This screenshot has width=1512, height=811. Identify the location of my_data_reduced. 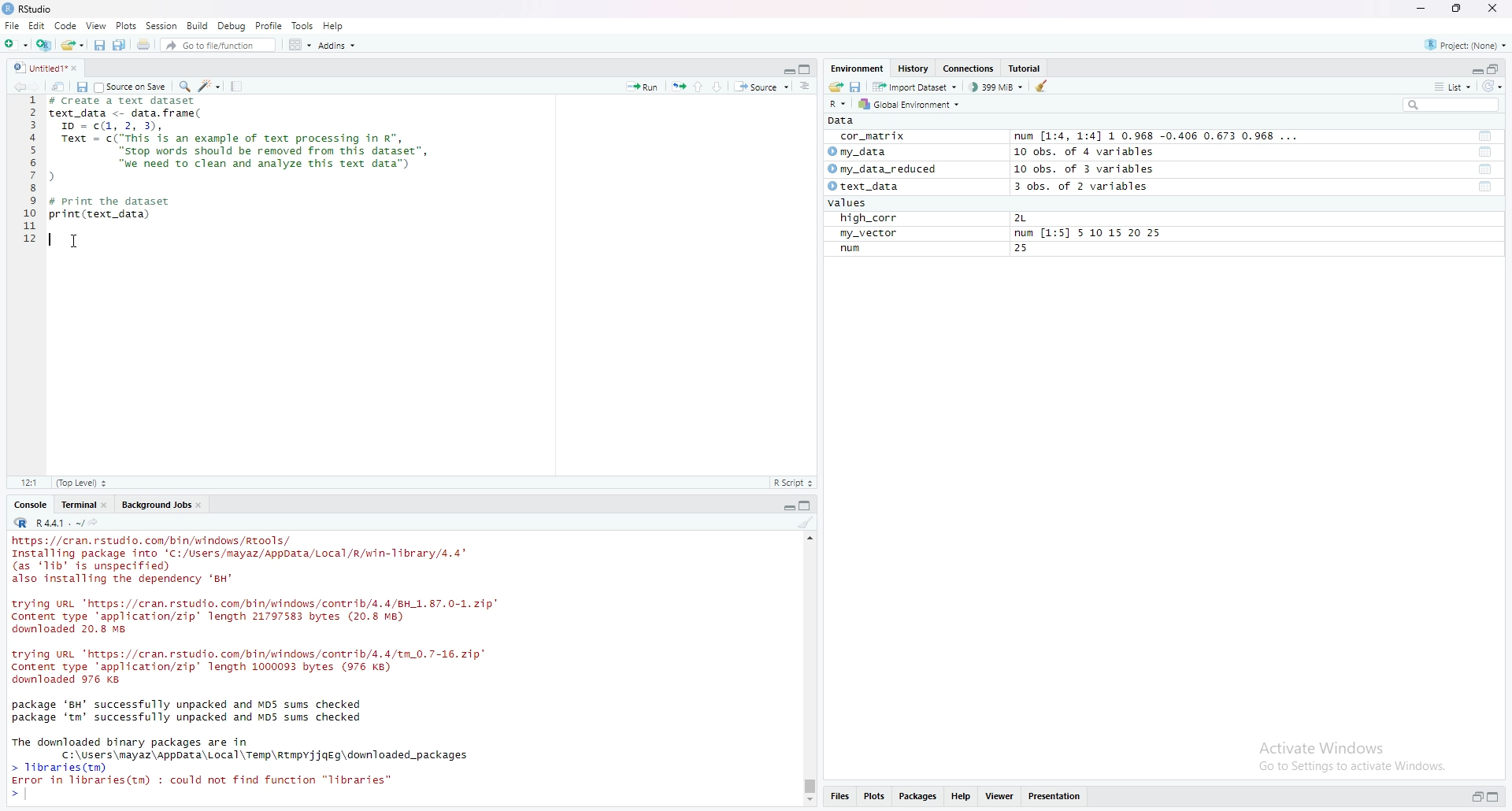
(882, 168).